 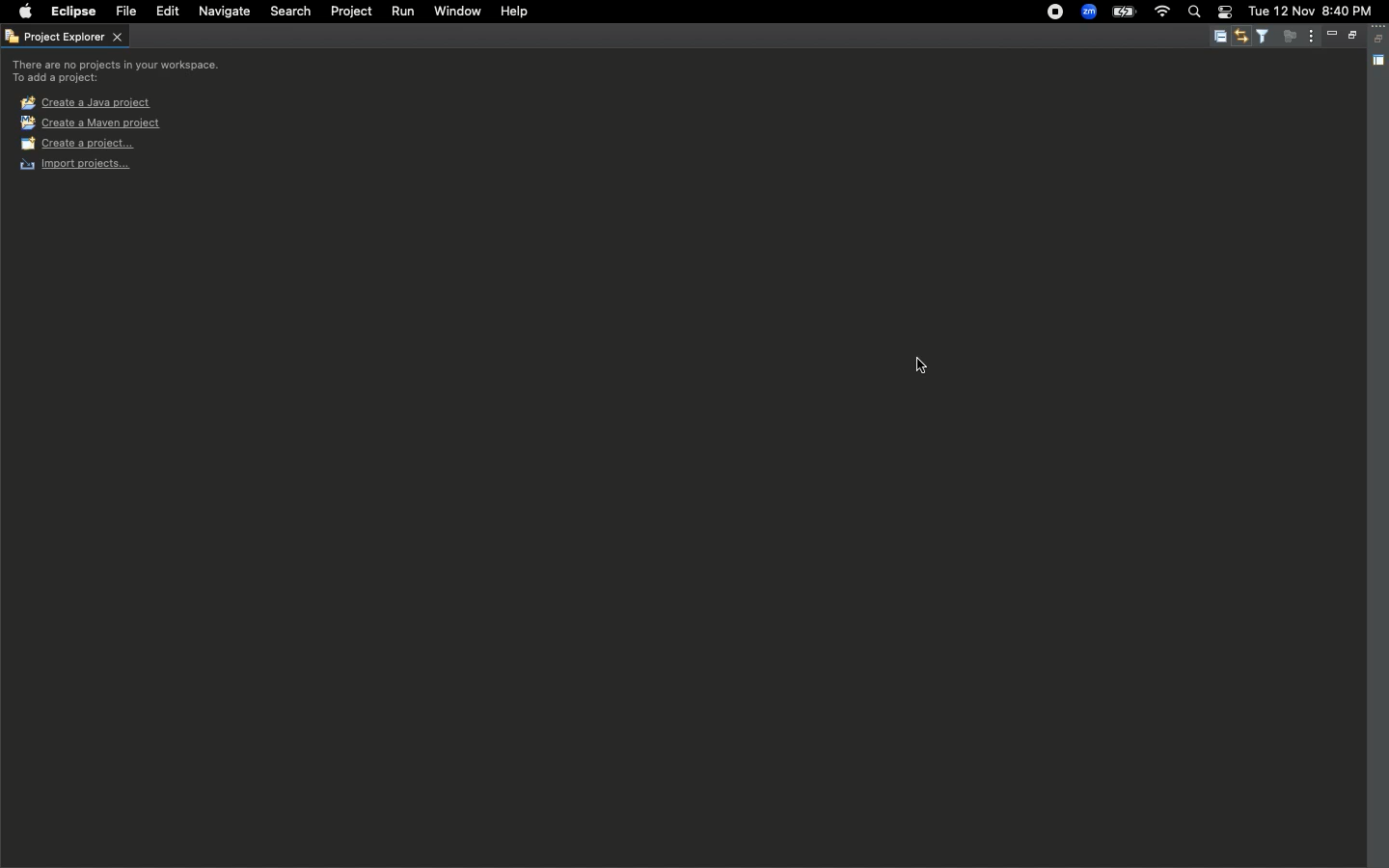 I want to click on Import projects, so click(x=109, y=164).